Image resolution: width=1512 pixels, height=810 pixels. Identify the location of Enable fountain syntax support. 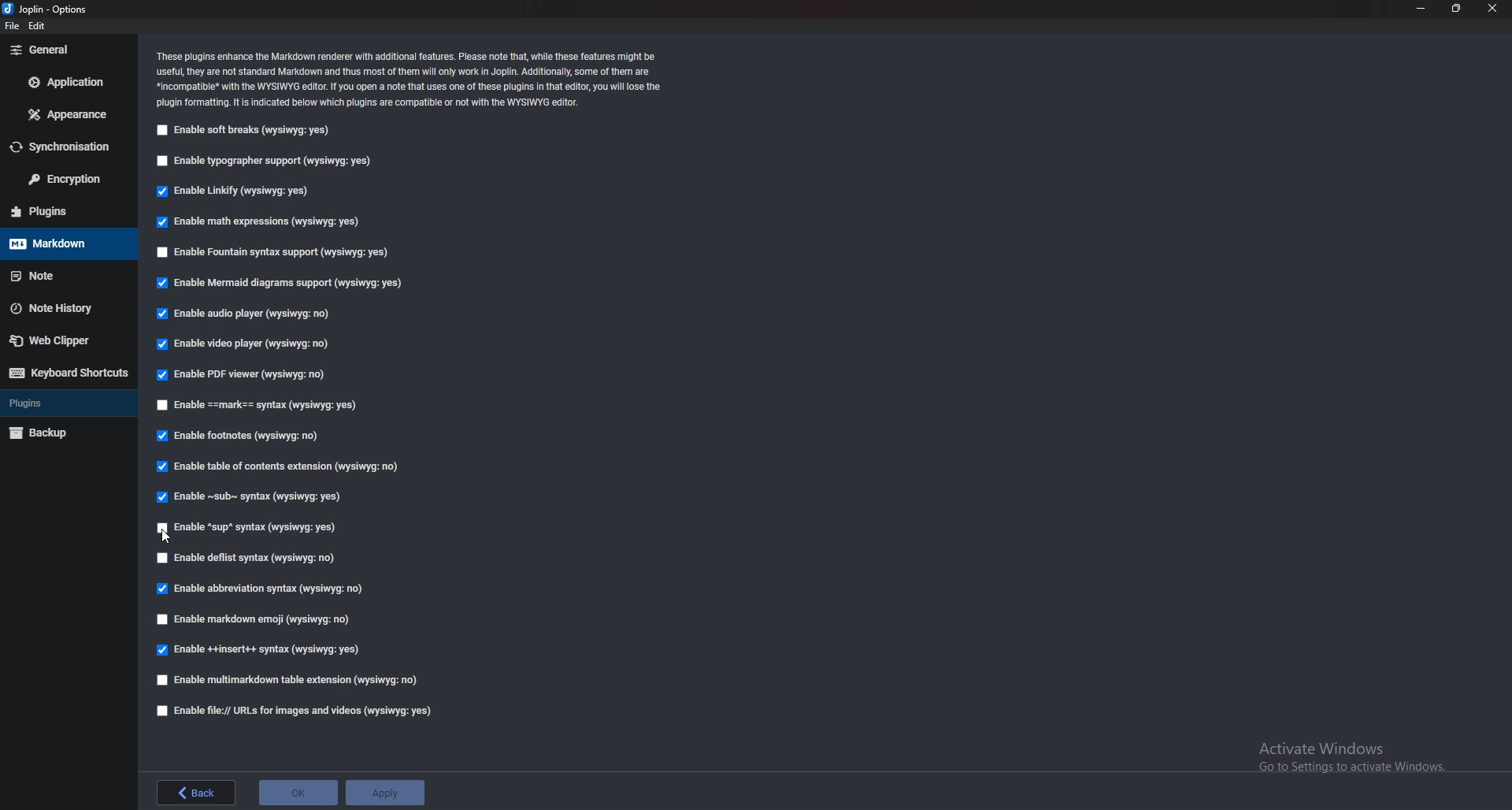
(276, 252).